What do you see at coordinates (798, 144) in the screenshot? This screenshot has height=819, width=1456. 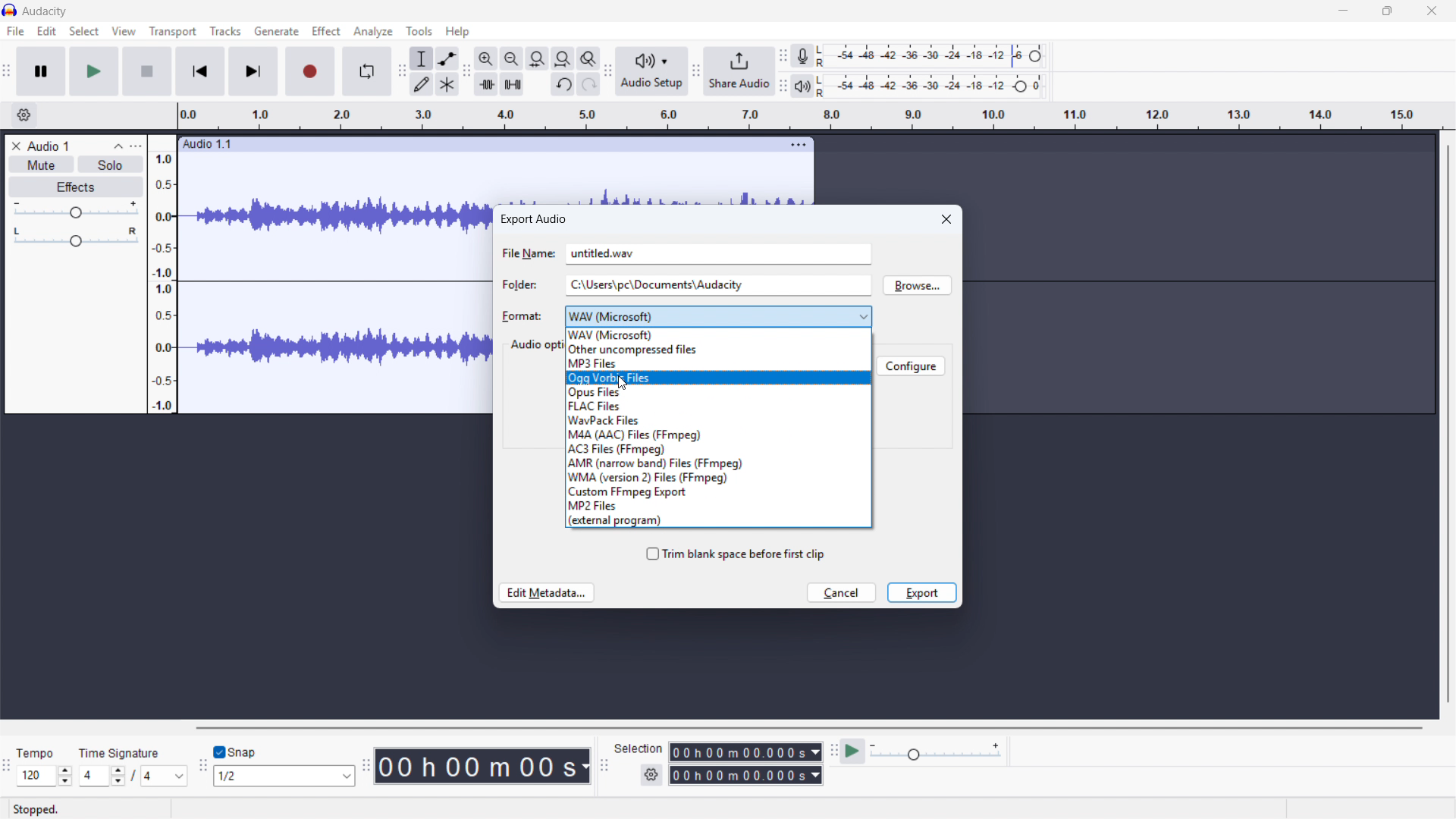 I see `Track options ` at bounding box center [798, 144].